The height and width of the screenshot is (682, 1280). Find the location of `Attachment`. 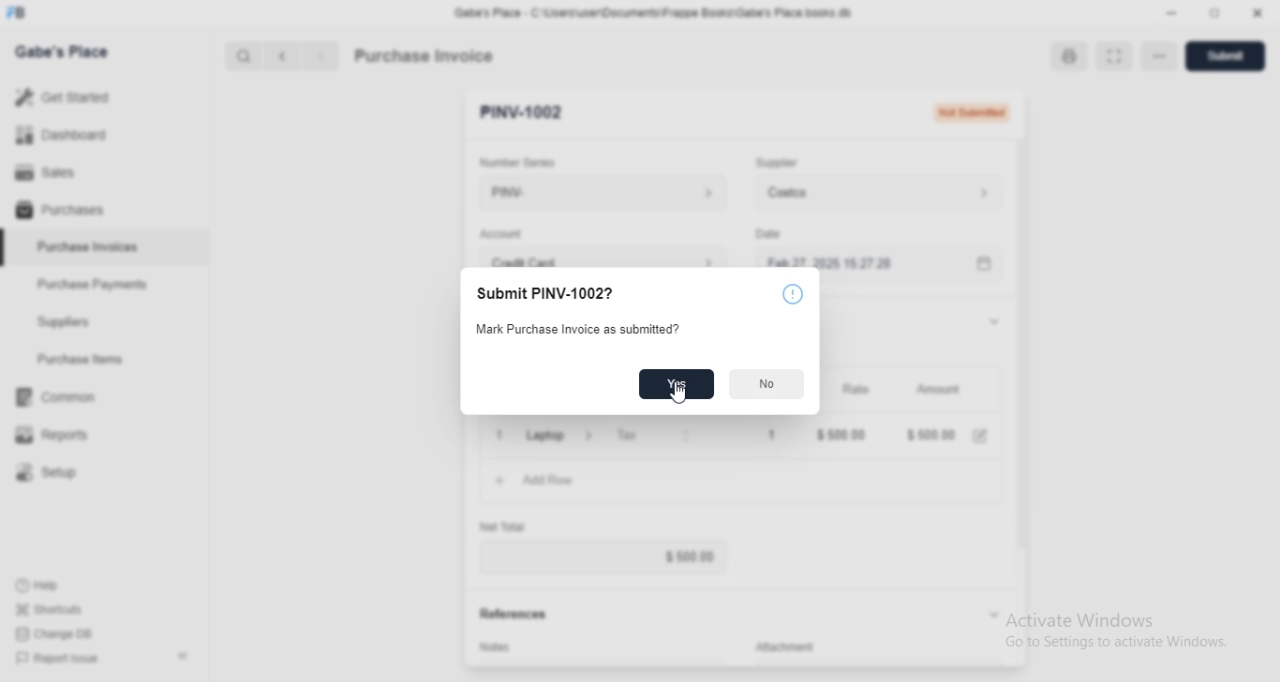

Attachment is located at coordinates (785, 646).